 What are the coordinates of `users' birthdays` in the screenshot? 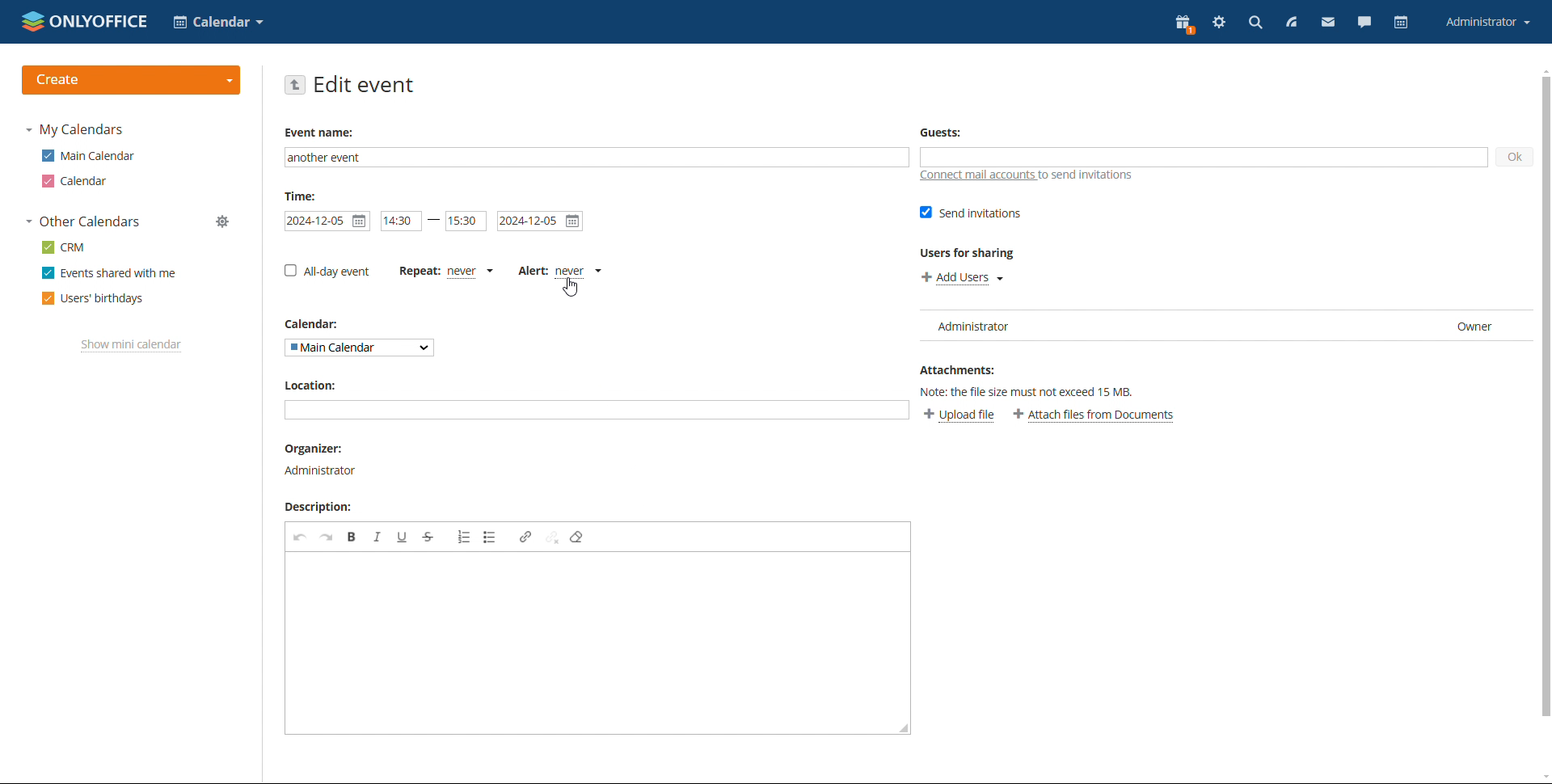 It's located at (93, 299).